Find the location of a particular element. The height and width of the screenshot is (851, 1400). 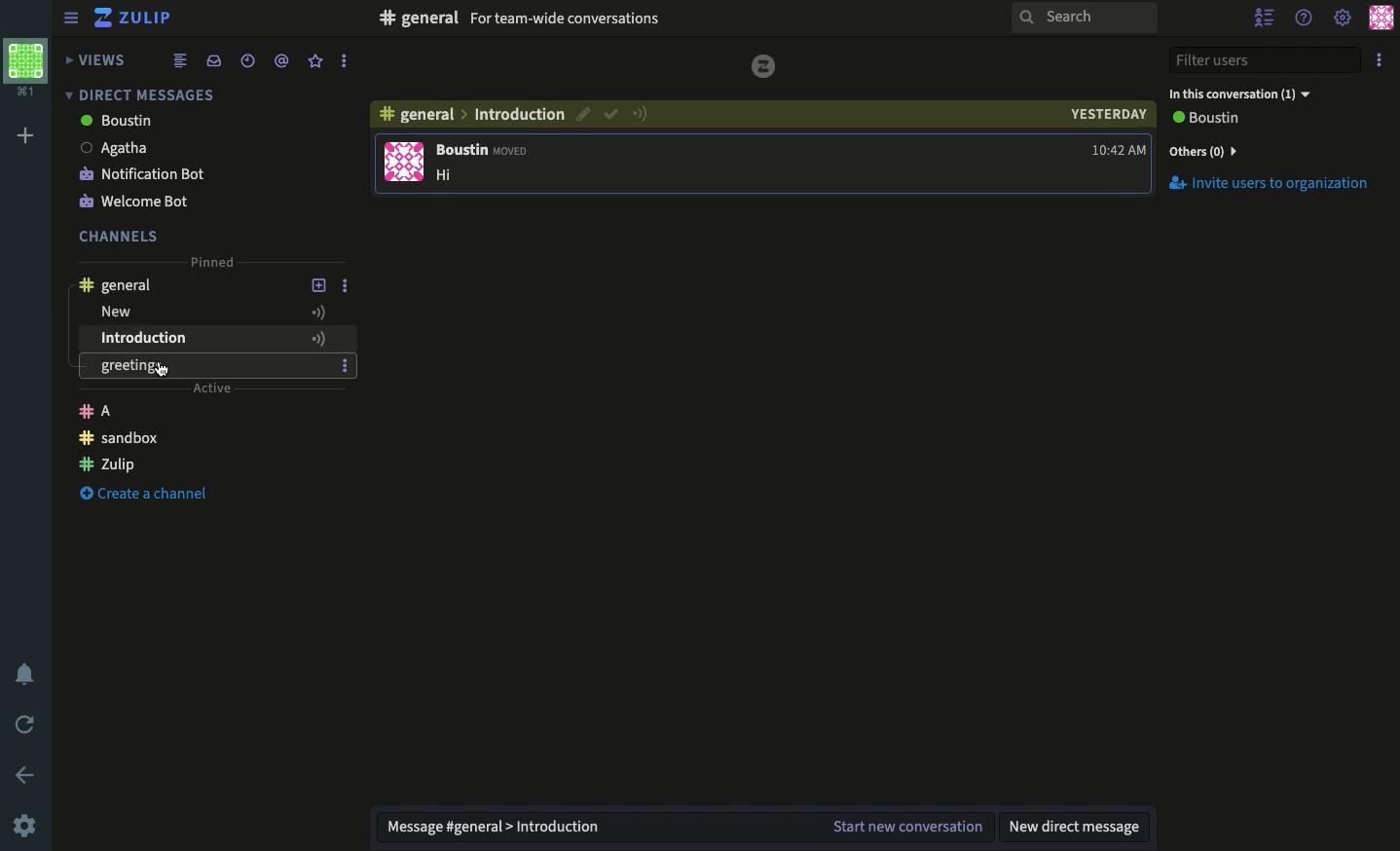

Options  is located at coordinates (1382, 56).